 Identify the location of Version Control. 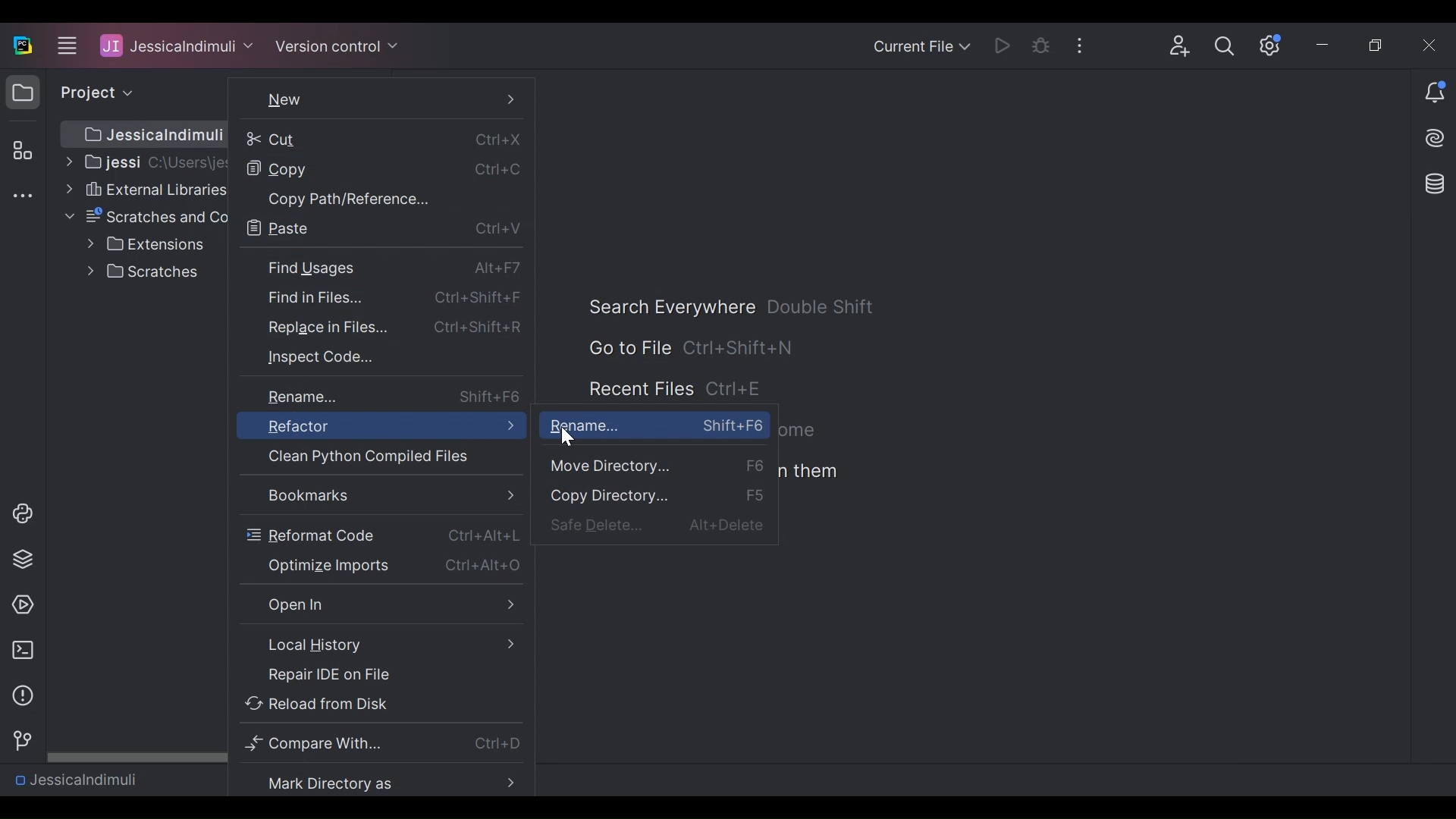
(337, 45).